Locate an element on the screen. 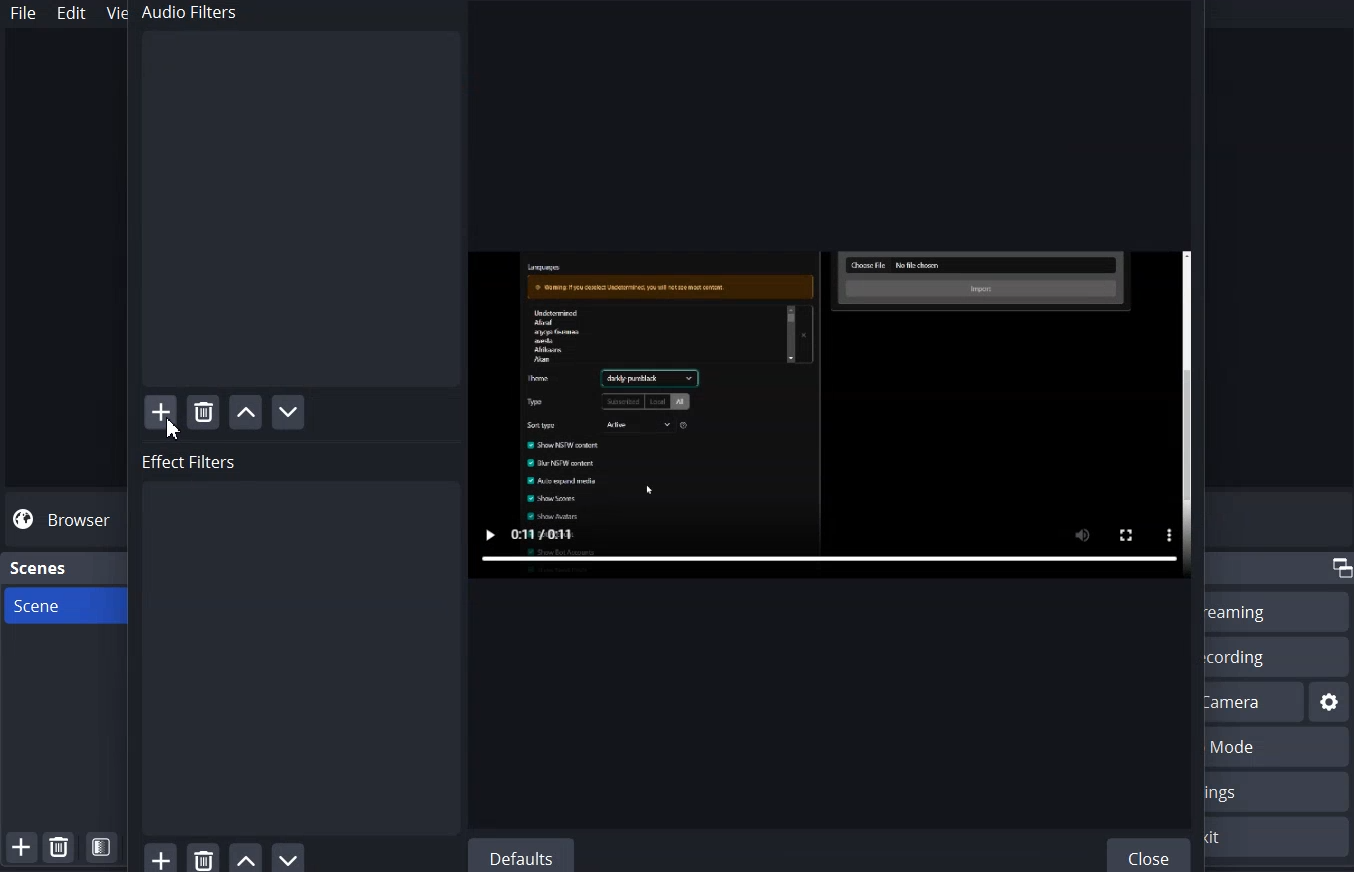 The width and height of the screenshot is (1354, 872). Studio Mode is located at coordinates (1279, 748).